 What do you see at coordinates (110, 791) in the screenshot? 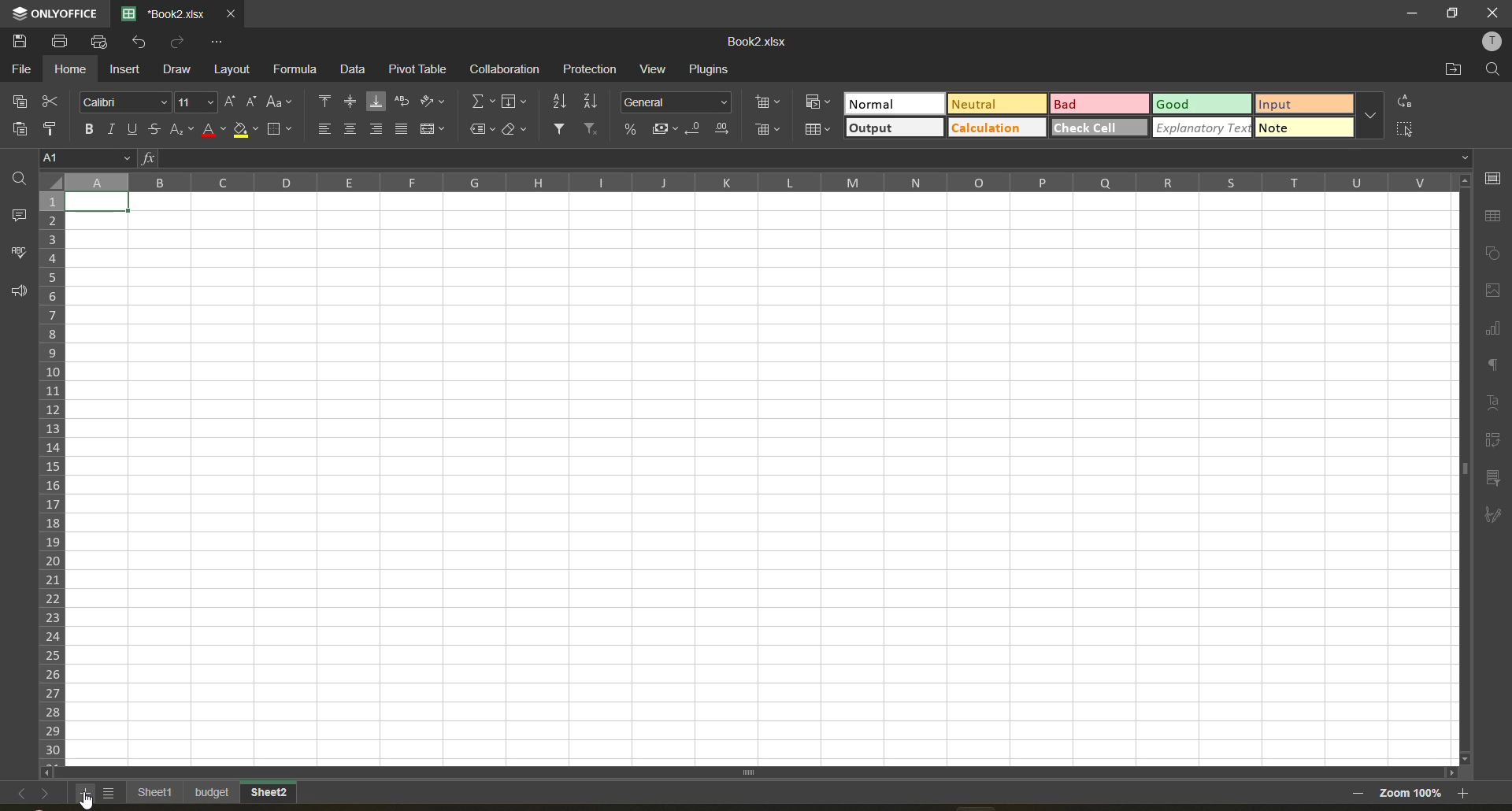
I see `list of sheets` at bounding box center [110, 791].